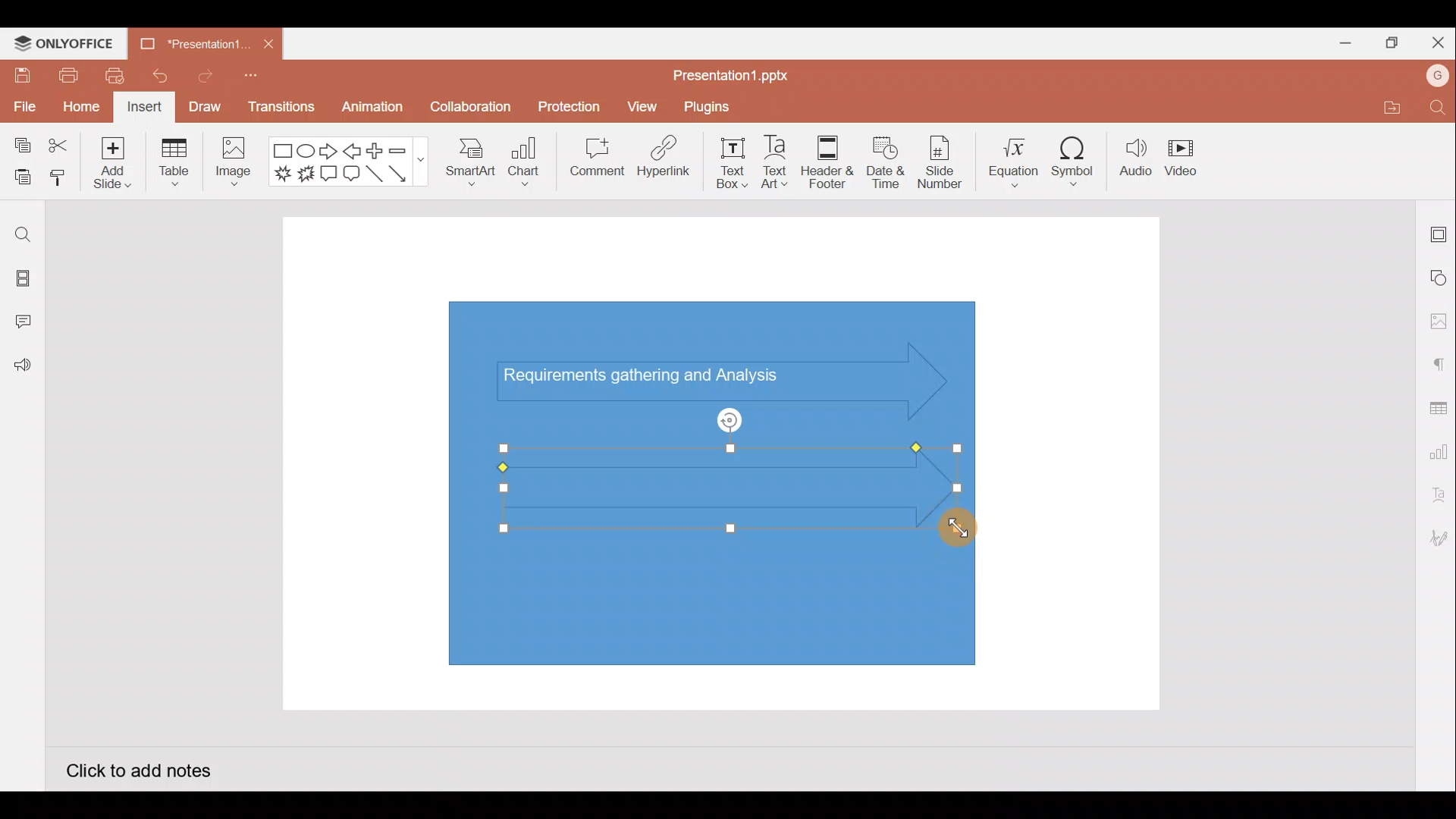 This screenshot has width=1456, height=819. I want to click on Feedback and Support, so click(22, 369).